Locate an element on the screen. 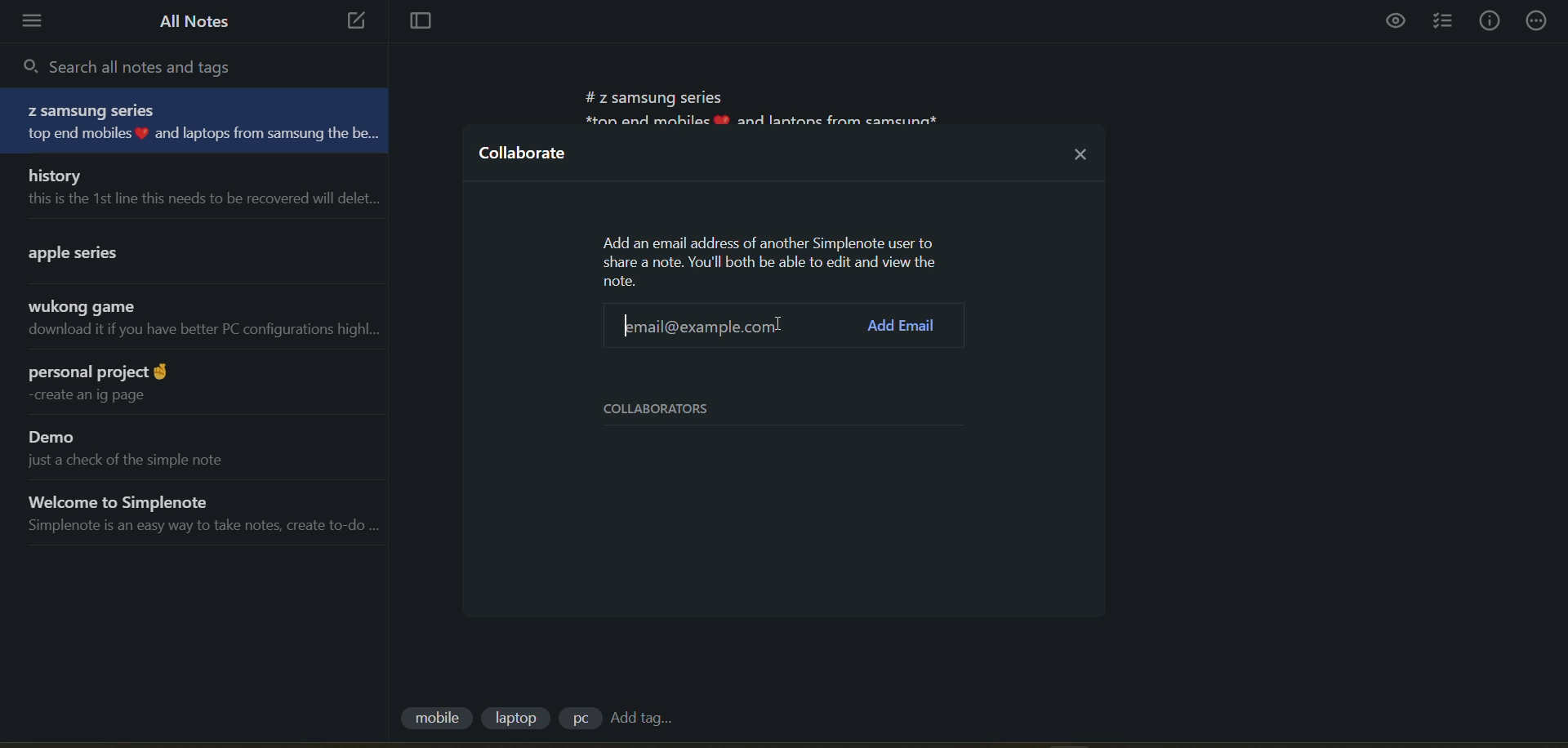 The height and width of the screenshot is (748, 1568). actions is located at coordinates (1540, 20).